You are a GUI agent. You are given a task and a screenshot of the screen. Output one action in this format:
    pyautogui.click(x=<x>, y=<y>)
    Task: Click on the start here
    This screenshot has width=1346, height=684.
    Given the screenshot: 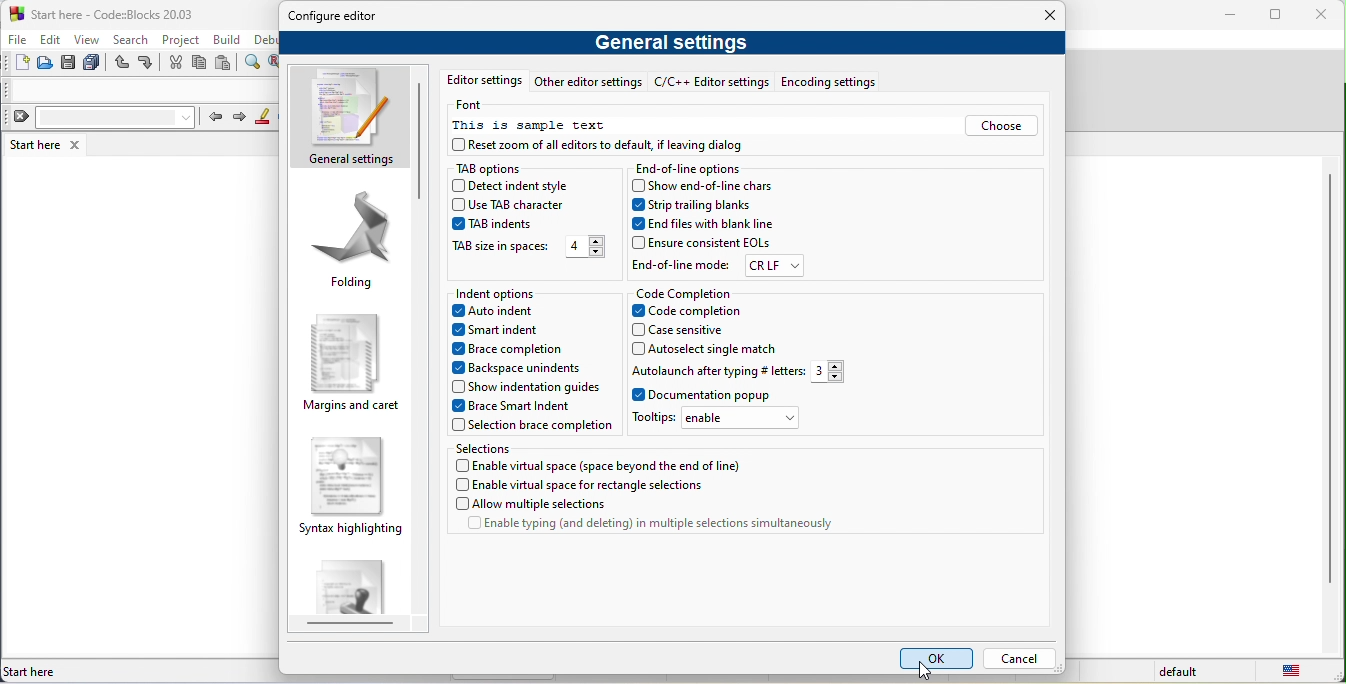 What is the action you would take?
    pyautogui.click(x=32, y=145)
    